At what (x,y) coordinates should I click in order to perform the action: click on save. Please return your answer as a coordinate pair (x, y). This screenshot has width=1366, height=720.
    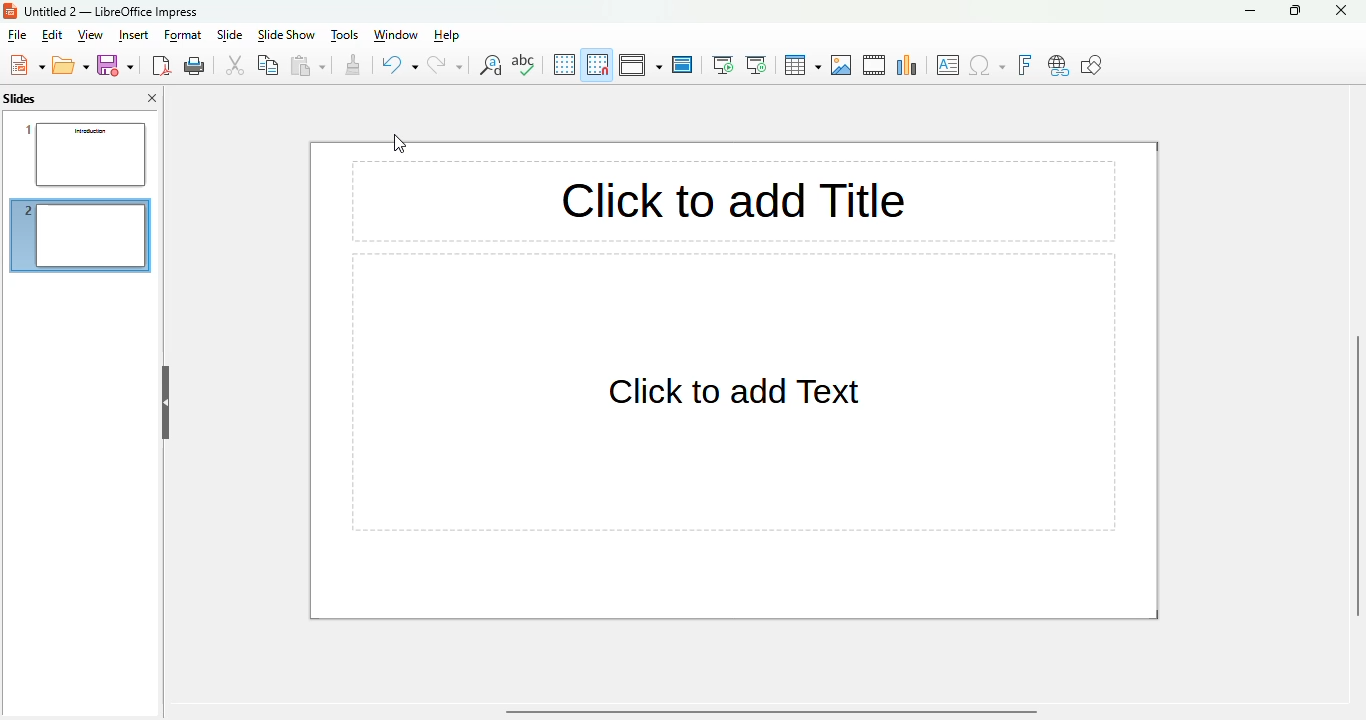
    Looking at the image, I should click on (115, 65).